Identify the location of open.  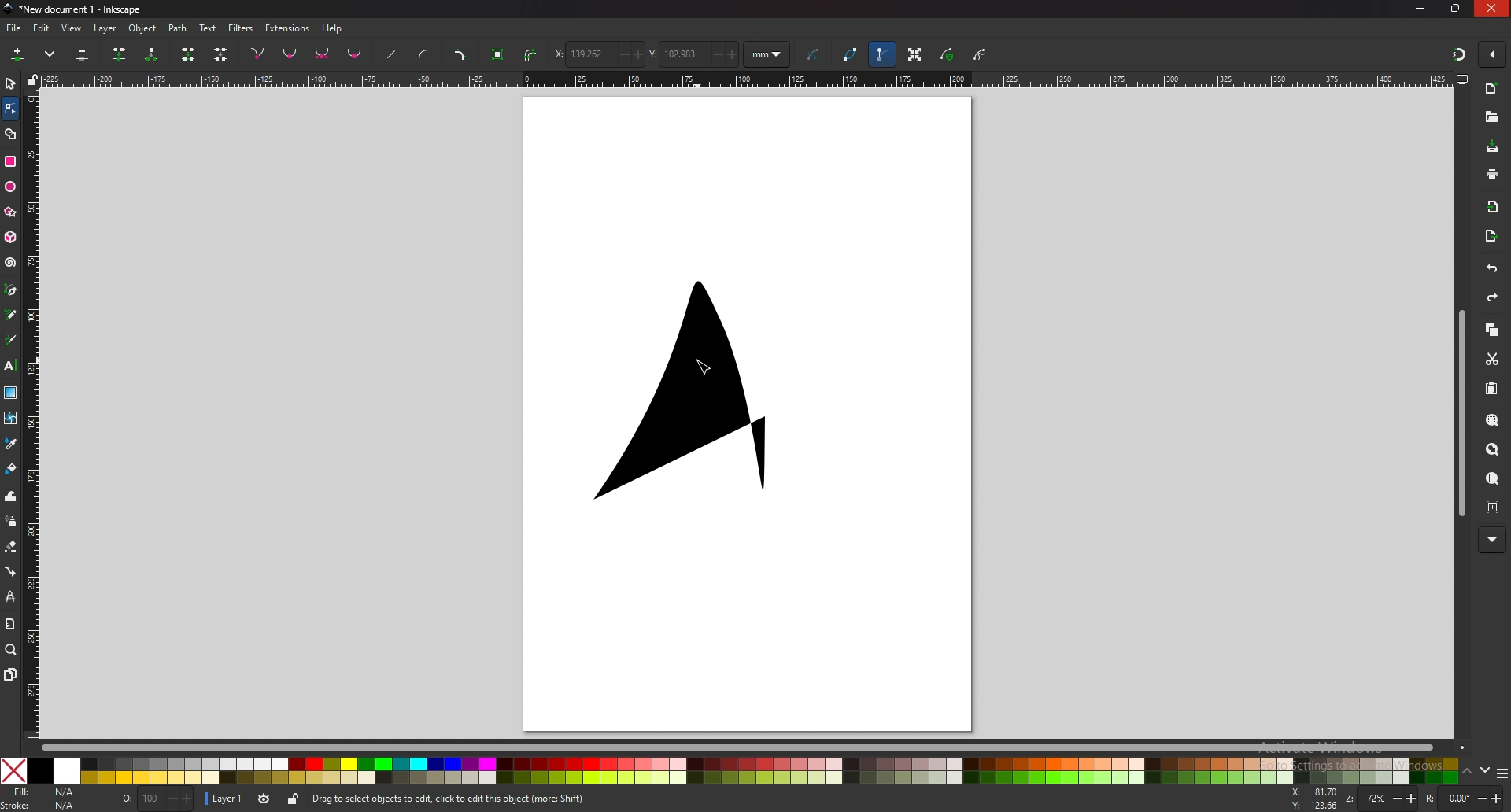
(1492, 117).